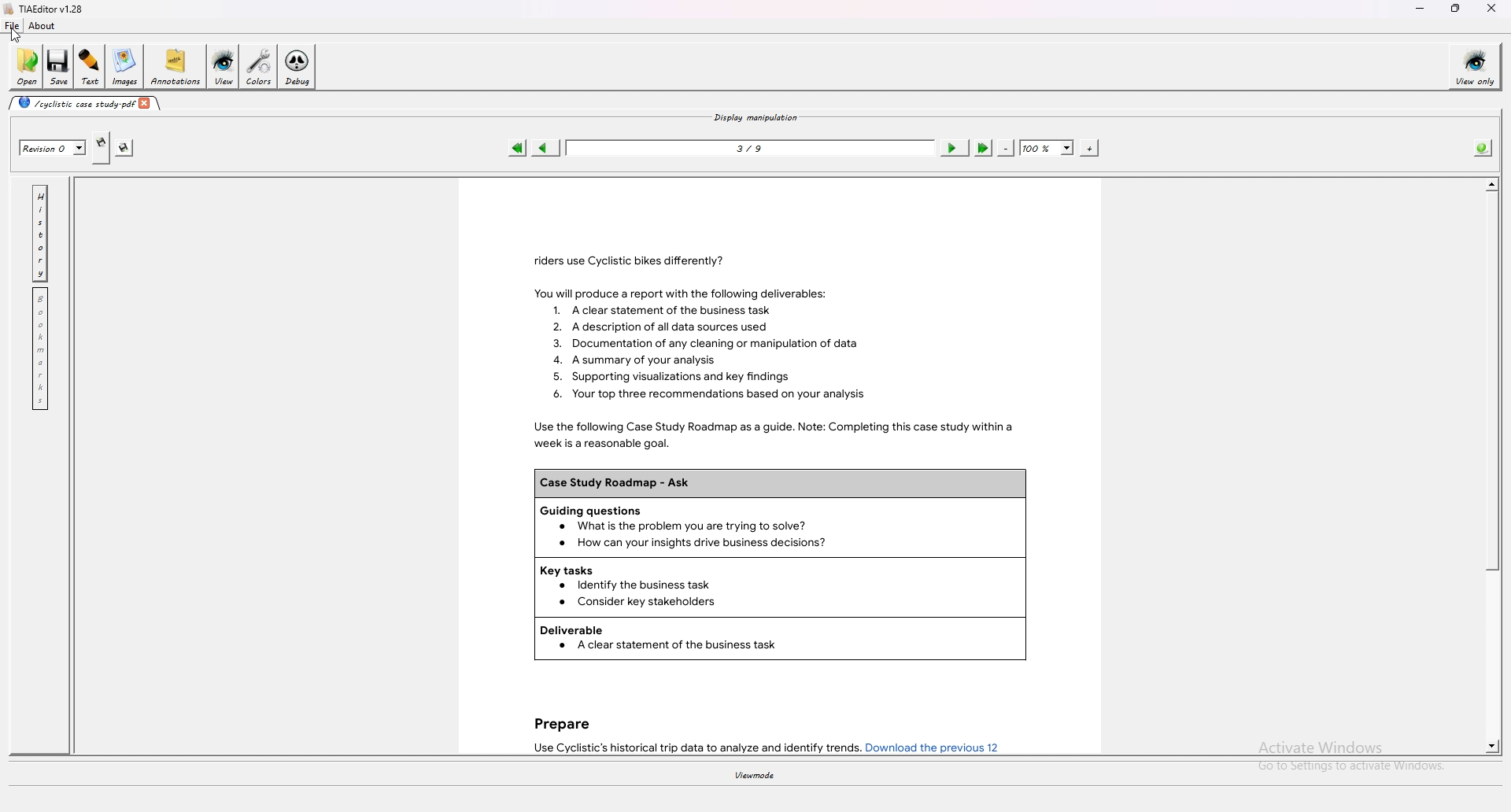 This screenshot has height=812, width=1511. What do you see at coordinates (42, 349) in the screenshot?
I see `bookmark` at bounding box center [42, 349].